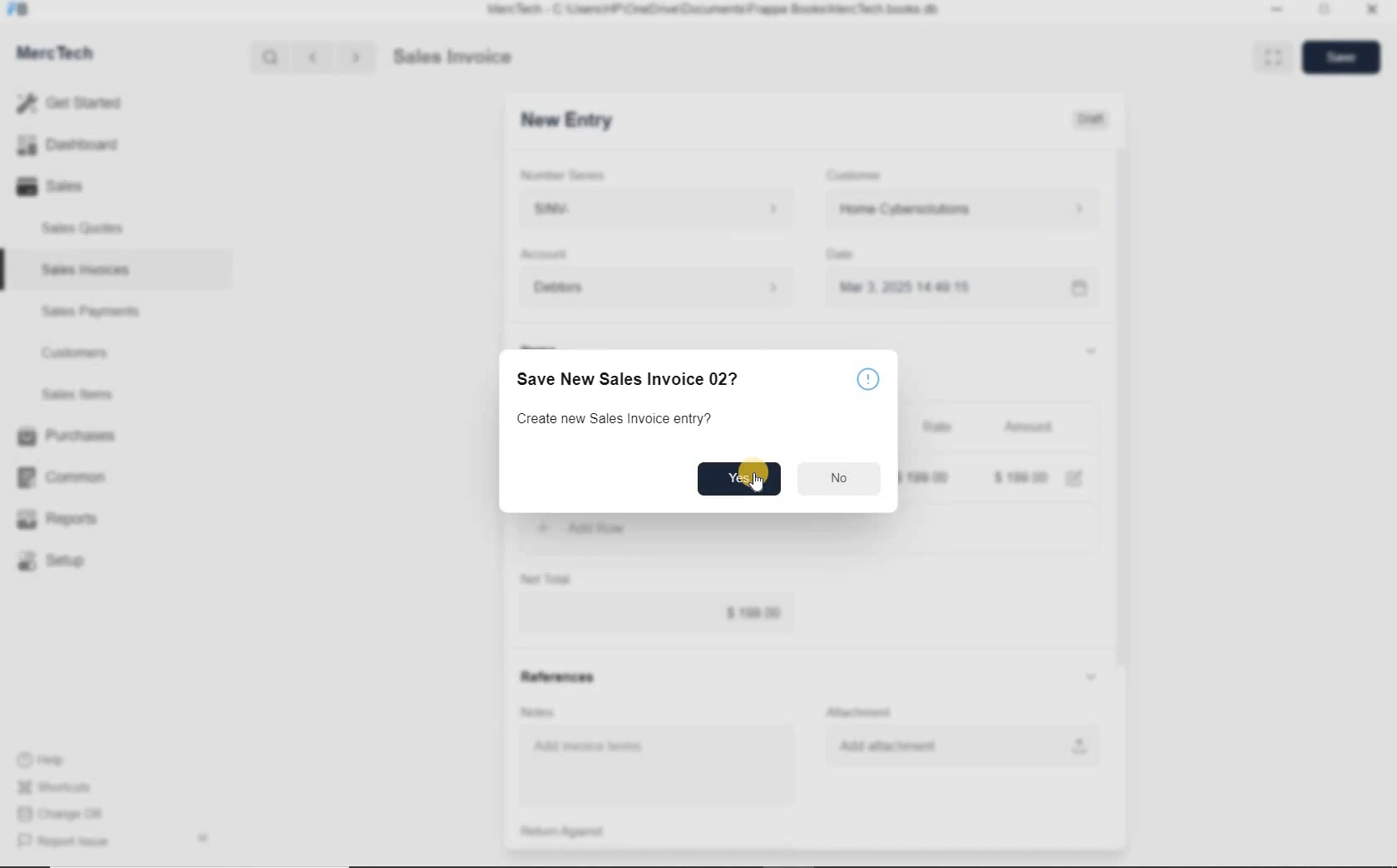 Image resolution: width=1397 pixels, height=868 pixels. What do you see at coordinates (86, 228) in the screenshot?
I see `Sales Quotes` at bounding box center [86, 228].